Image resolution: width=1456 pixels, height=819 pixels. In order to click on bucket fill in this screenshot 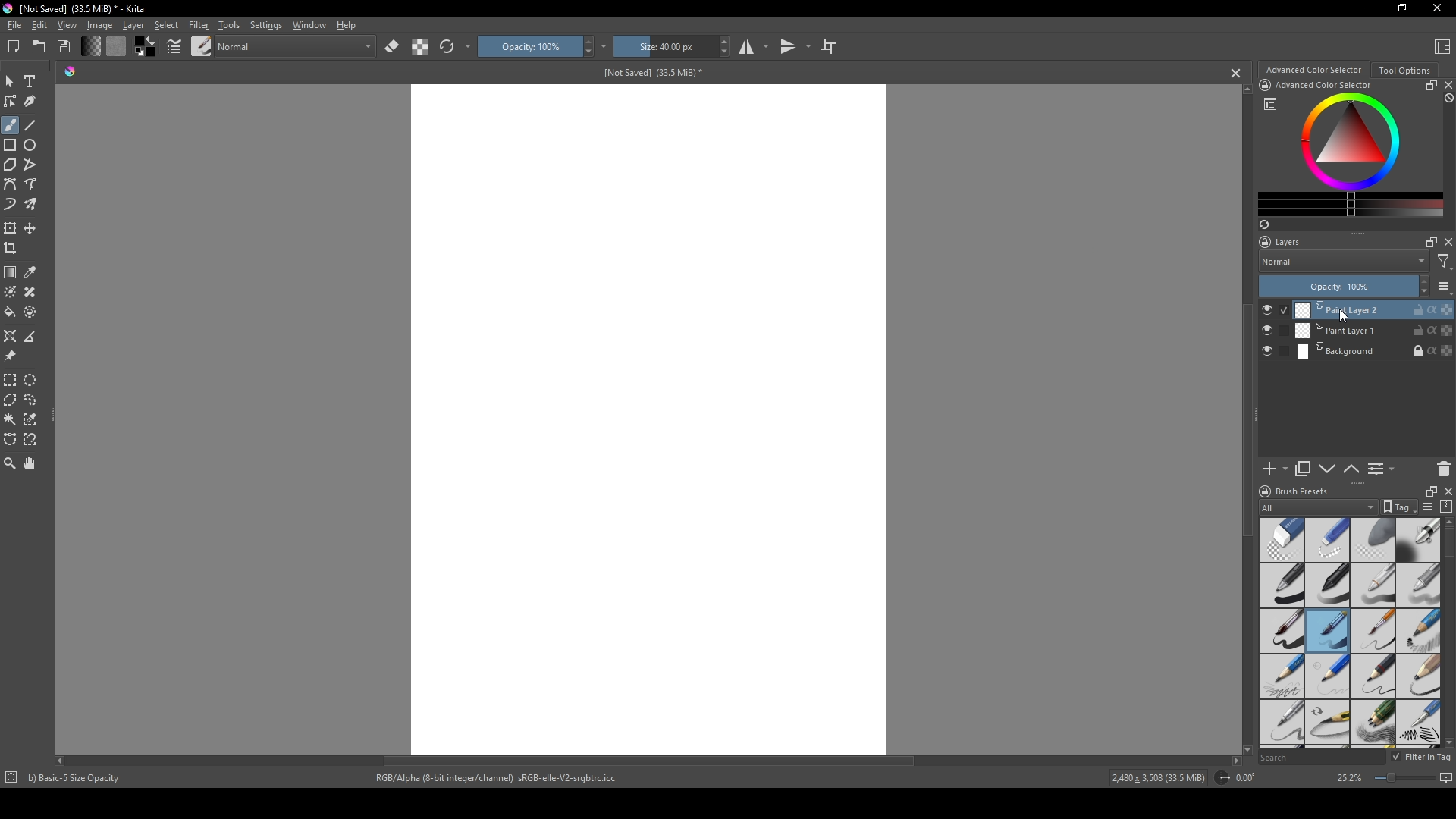, I will do `click(11, 312)`.